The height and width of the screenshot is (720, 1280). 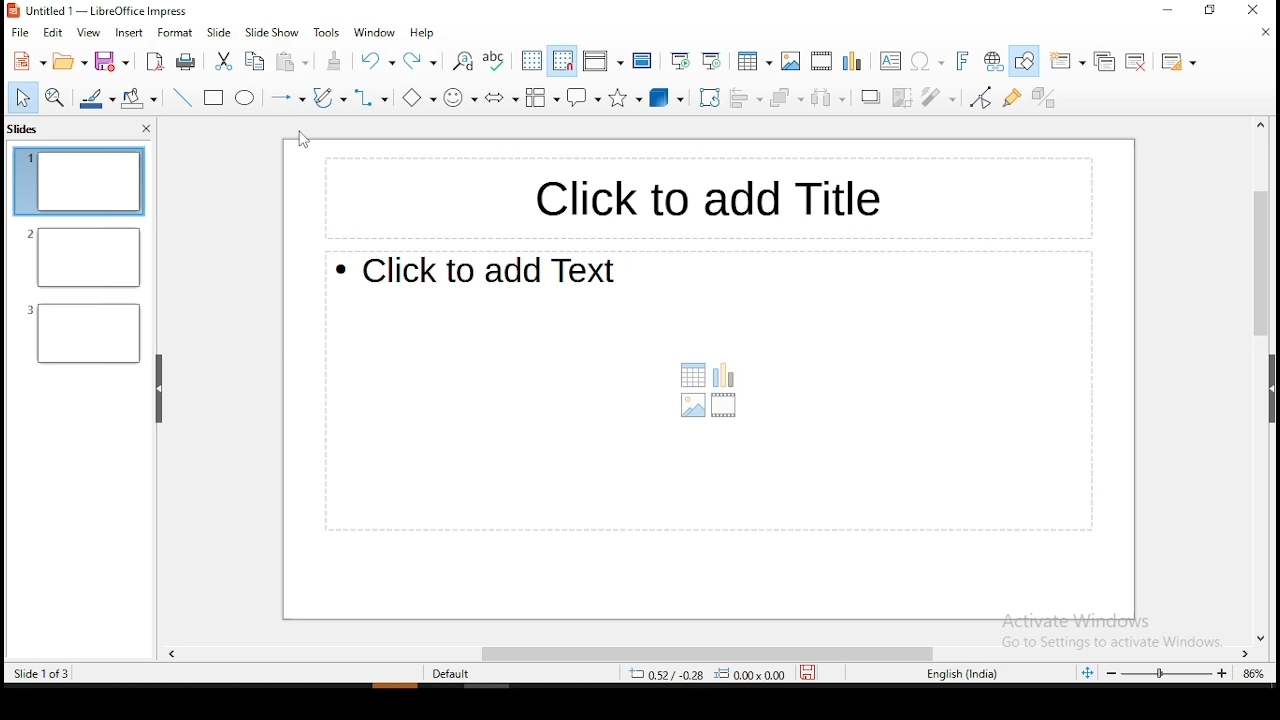 What do you see at coordinates (995, 60) in the screenshot?
I see `insert hyperlink` at bounding box center [995, 60].